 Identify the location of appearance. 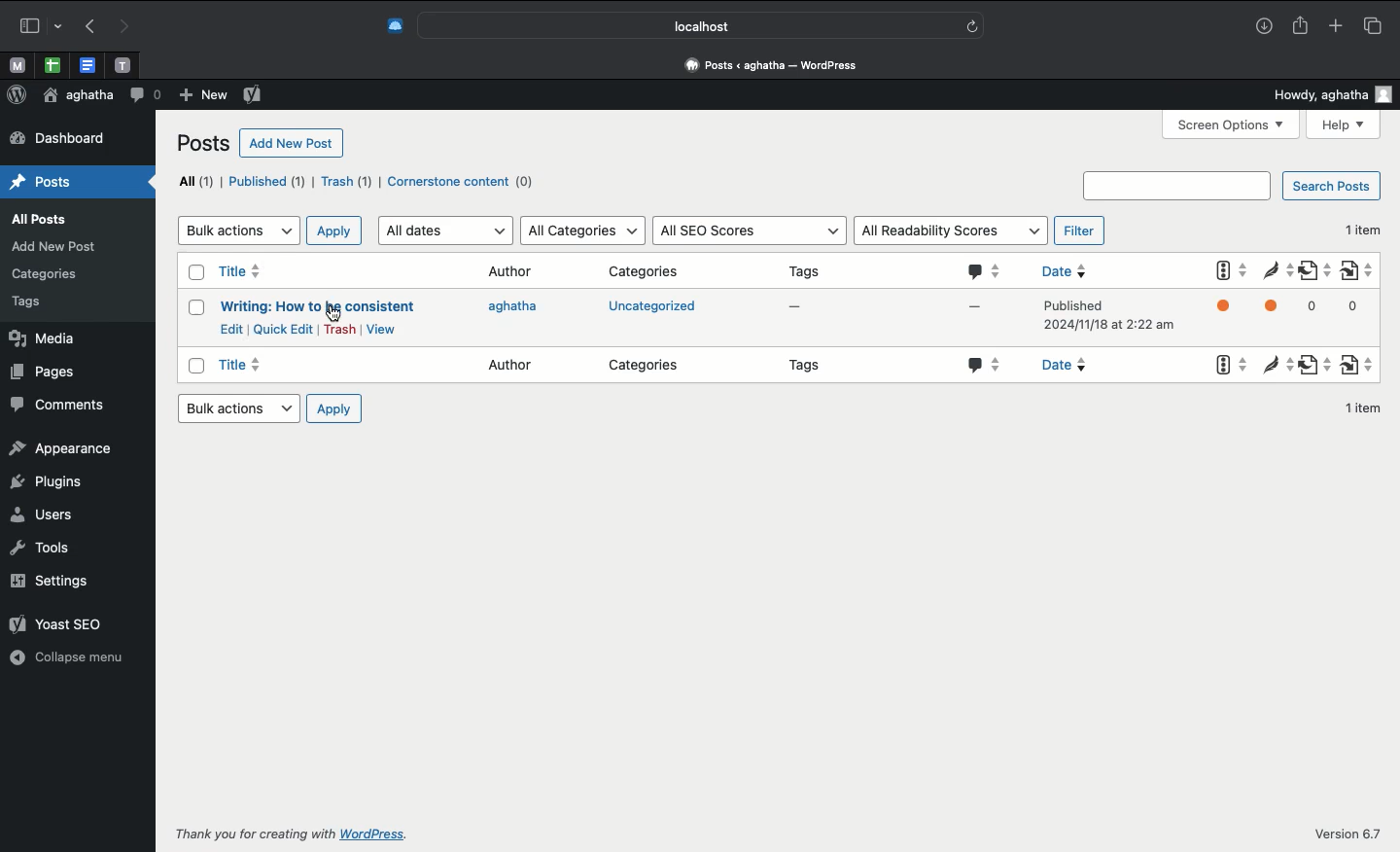
(64, 448).